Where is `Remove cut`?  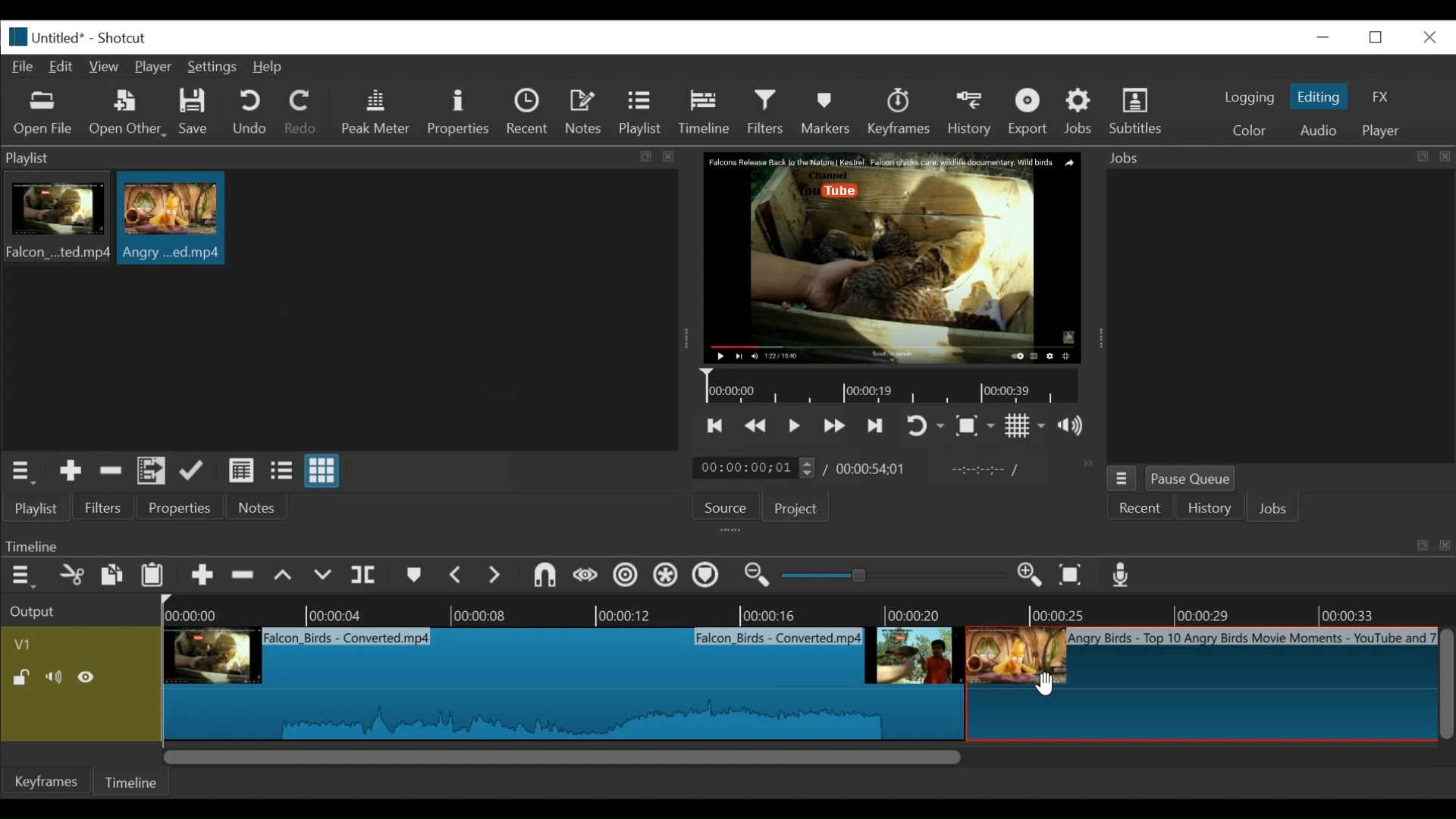 Remove cut is located at coordinates (245, 578).